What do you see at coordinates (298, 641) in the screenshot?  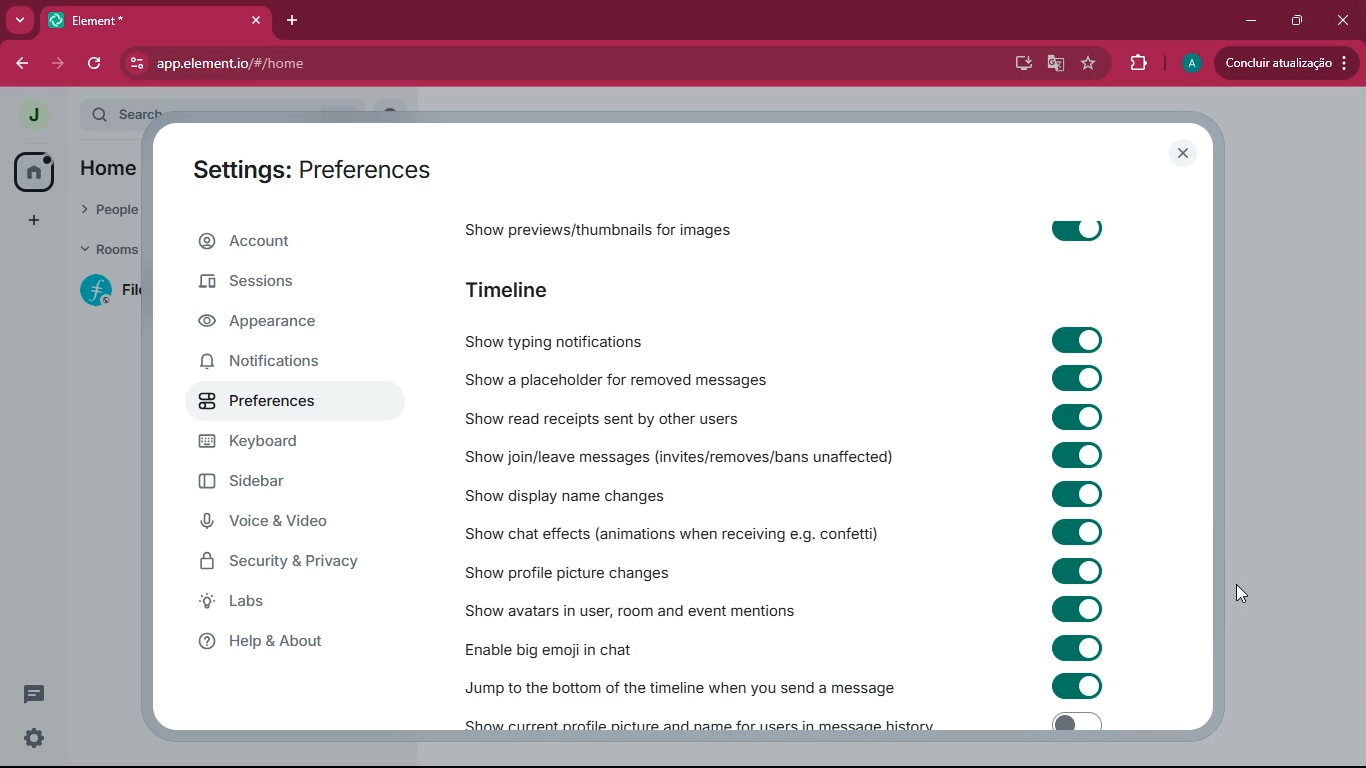 I see `help & about` at bounding box center [298, 641].